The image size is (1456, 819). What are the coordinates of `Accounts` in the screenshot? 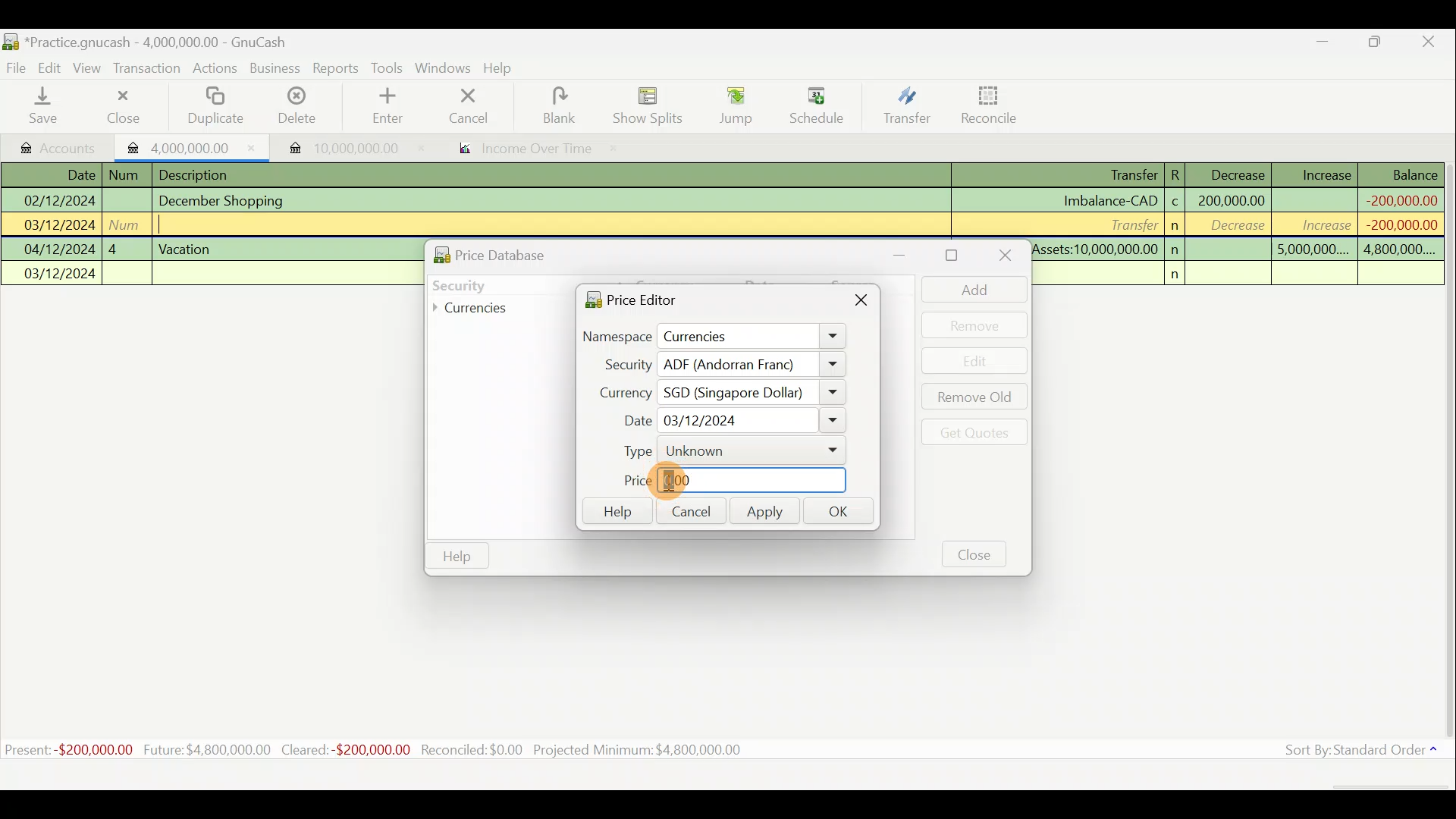 It's located at (53, 145).